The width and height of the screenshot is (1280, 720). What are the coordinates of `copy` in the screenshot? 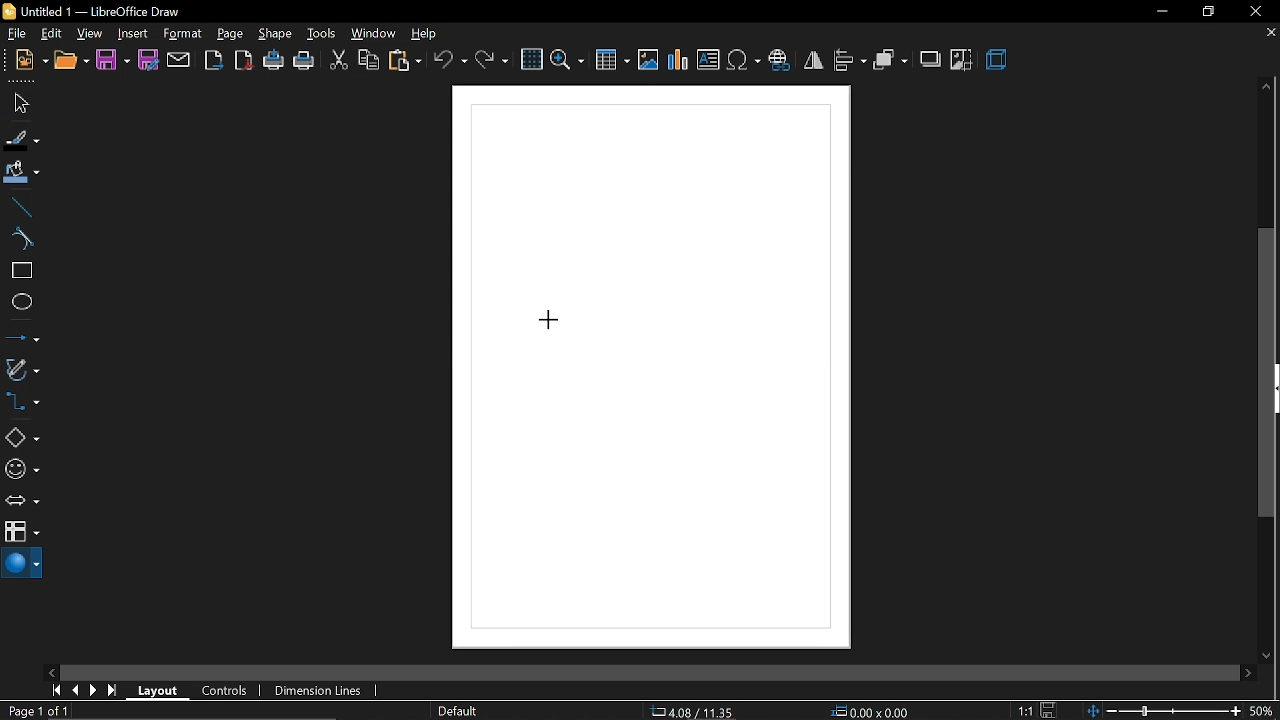 It's located at (370, 61).